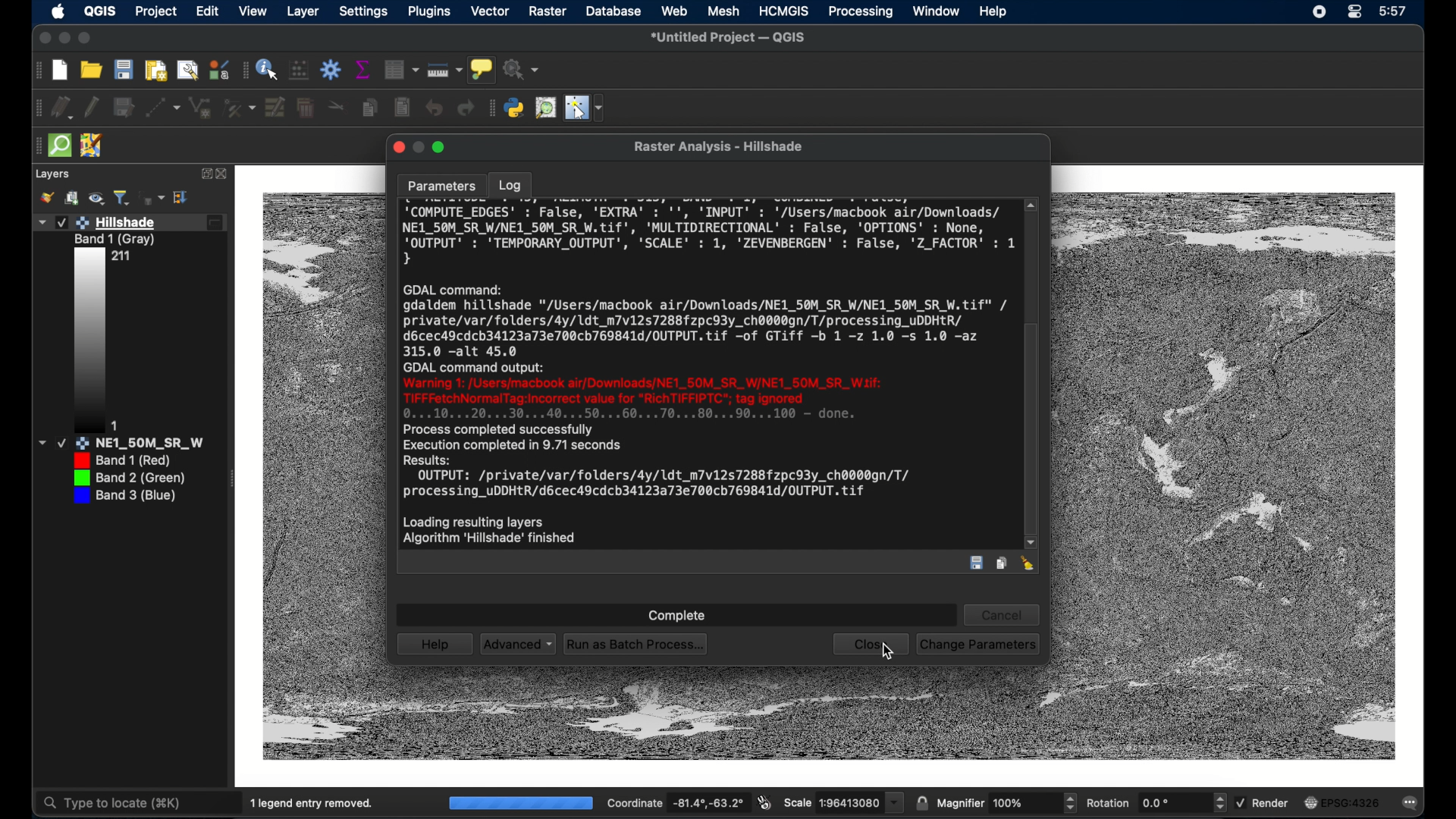 This screenshot has width=1456, height=819. What do you see at coordinates (1393, 11) in the screenshot?
I see `time` at bounding box center [1393, 11].